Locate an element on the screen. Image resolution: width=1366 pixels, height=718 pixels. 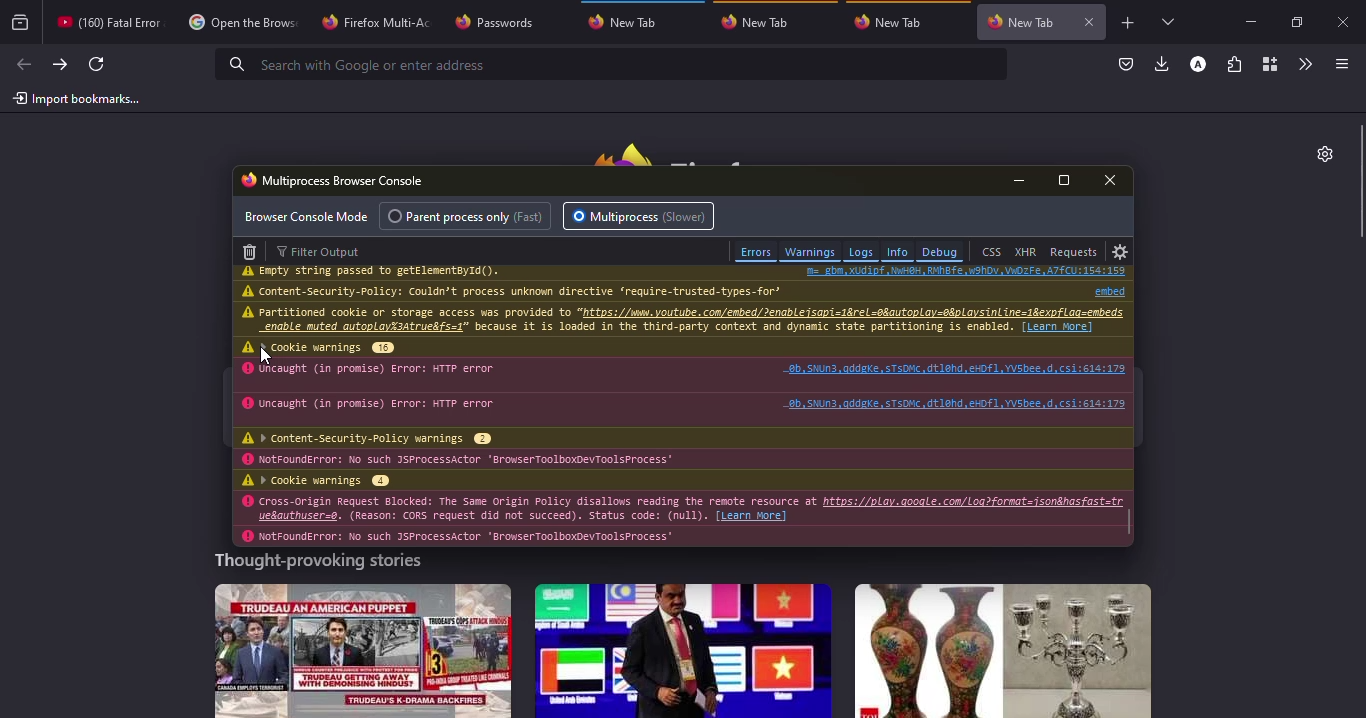
view recent browsing history is located at coordinates (21, 23).